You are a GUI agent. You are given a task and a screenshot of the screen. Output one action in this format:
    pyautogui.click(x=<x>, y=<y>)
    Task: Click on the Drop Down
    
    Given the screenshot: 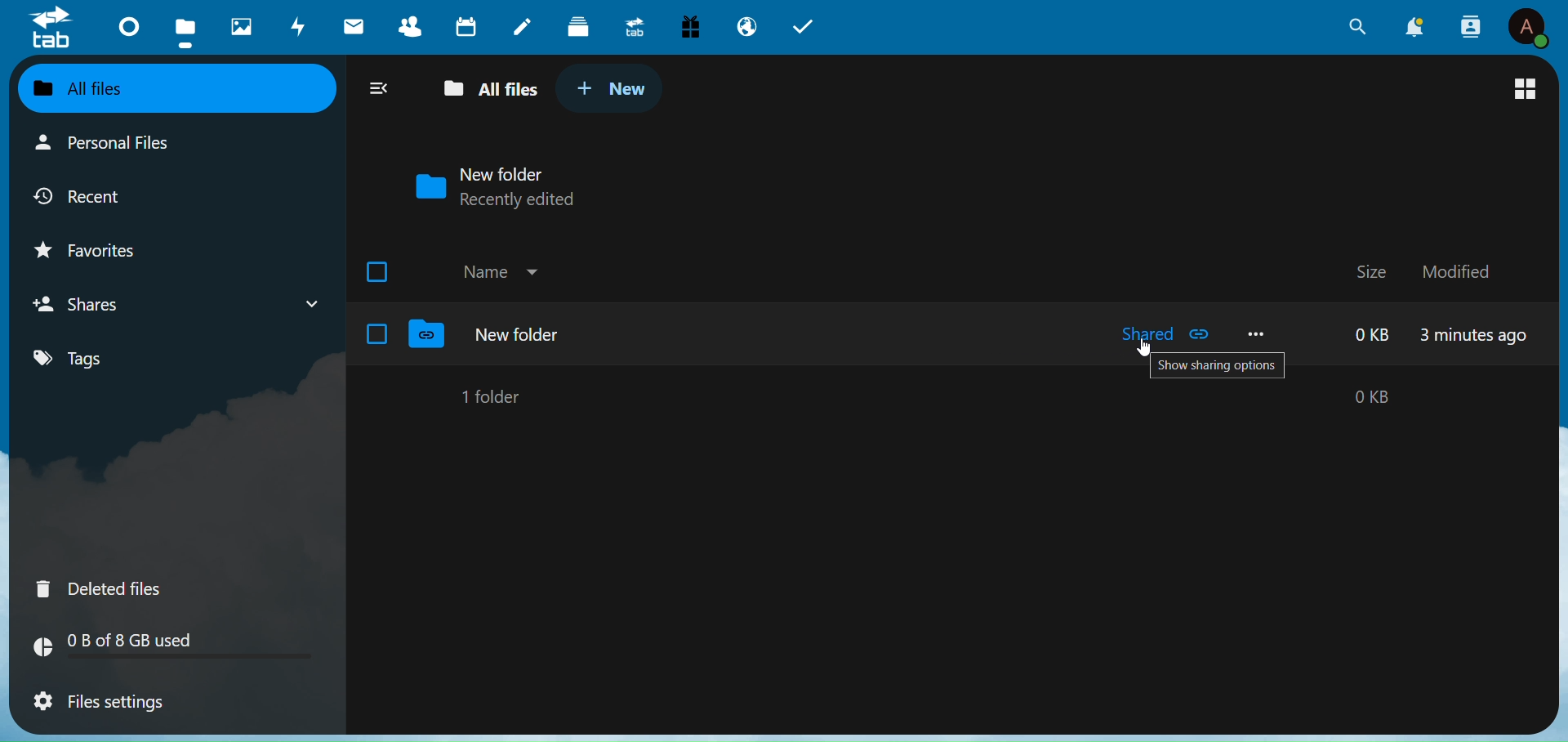 What is the action you would take?
    pyautogui.click(x=534, y=269)
    